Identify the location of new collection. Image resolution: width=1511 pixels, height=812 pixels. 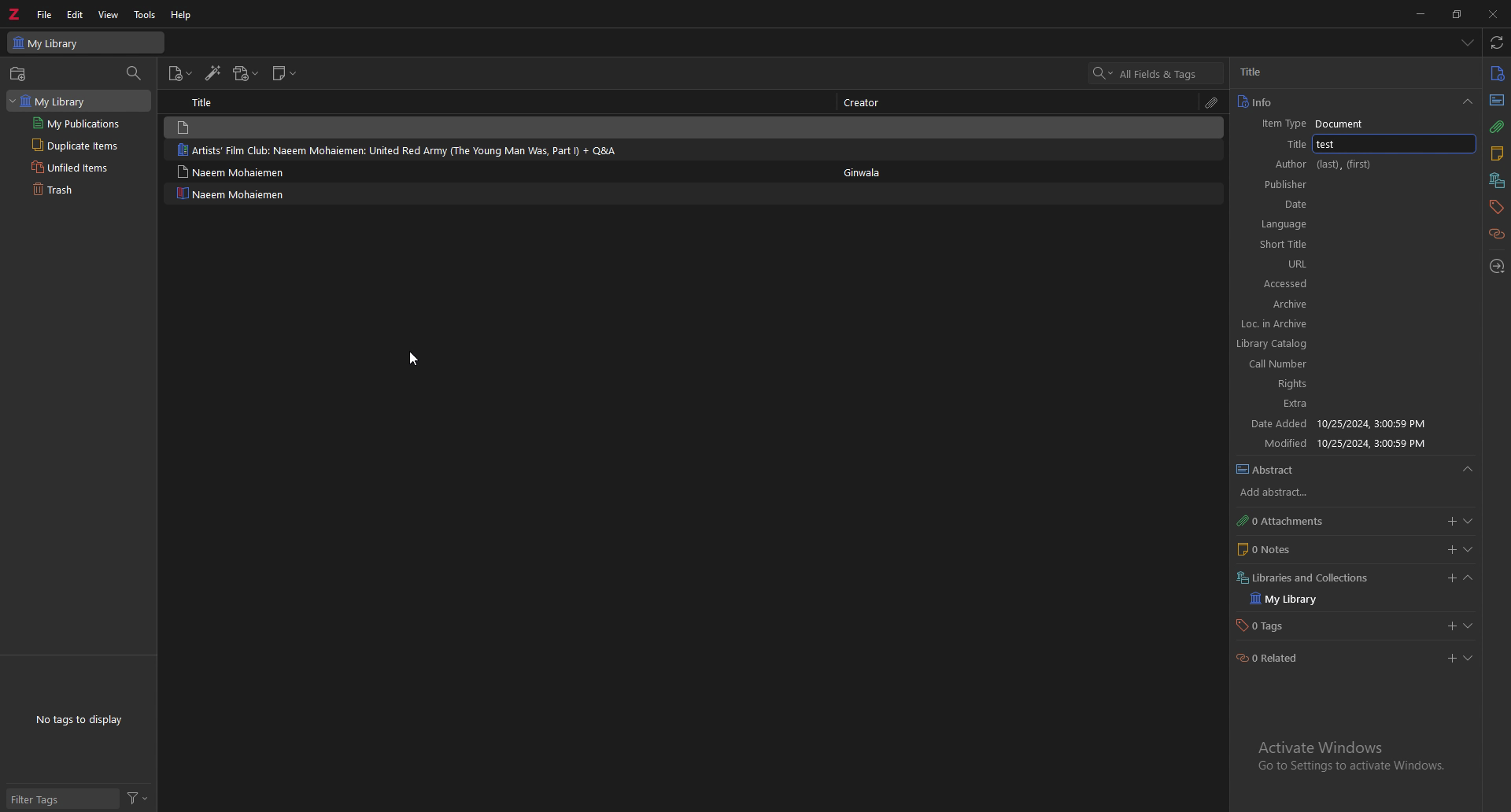
(20, 74).